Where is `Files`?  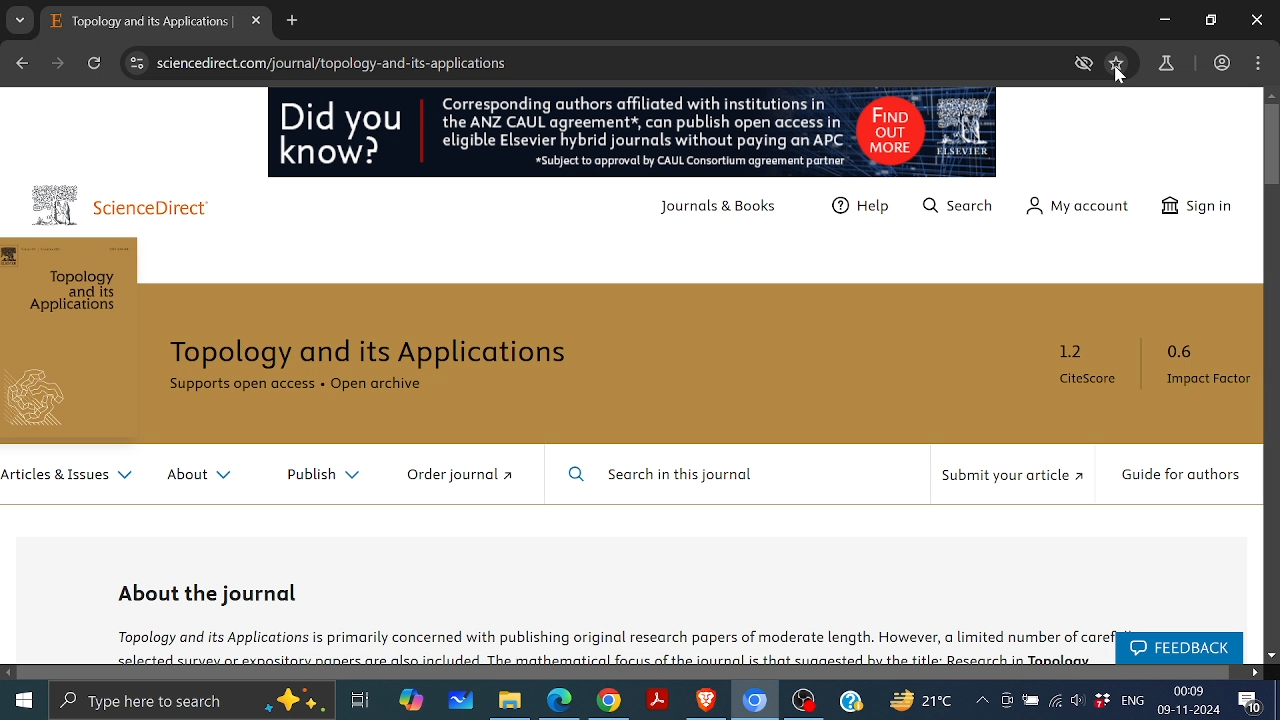
Files is located at coordinates (508, 700).